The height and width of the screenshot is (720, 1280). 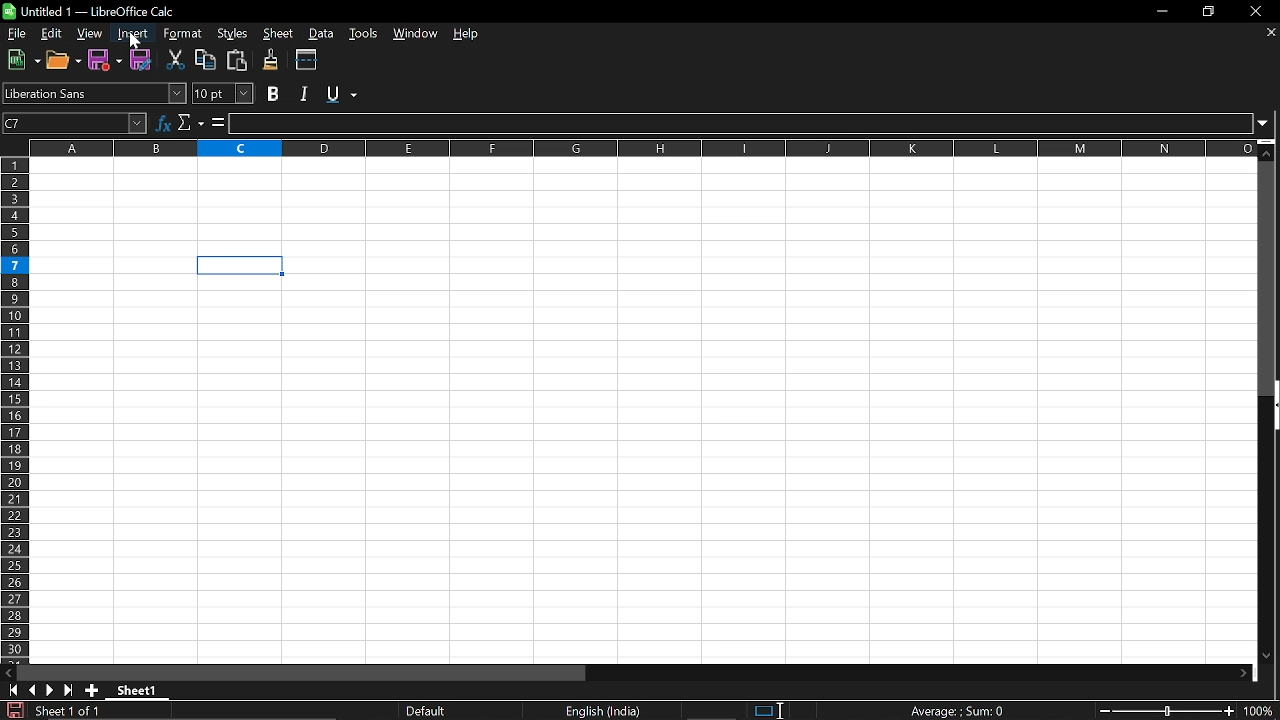 What do you see at coordinates (428, 711) in the screenshot?
I see `Current look` at bounding box center [428, 711].